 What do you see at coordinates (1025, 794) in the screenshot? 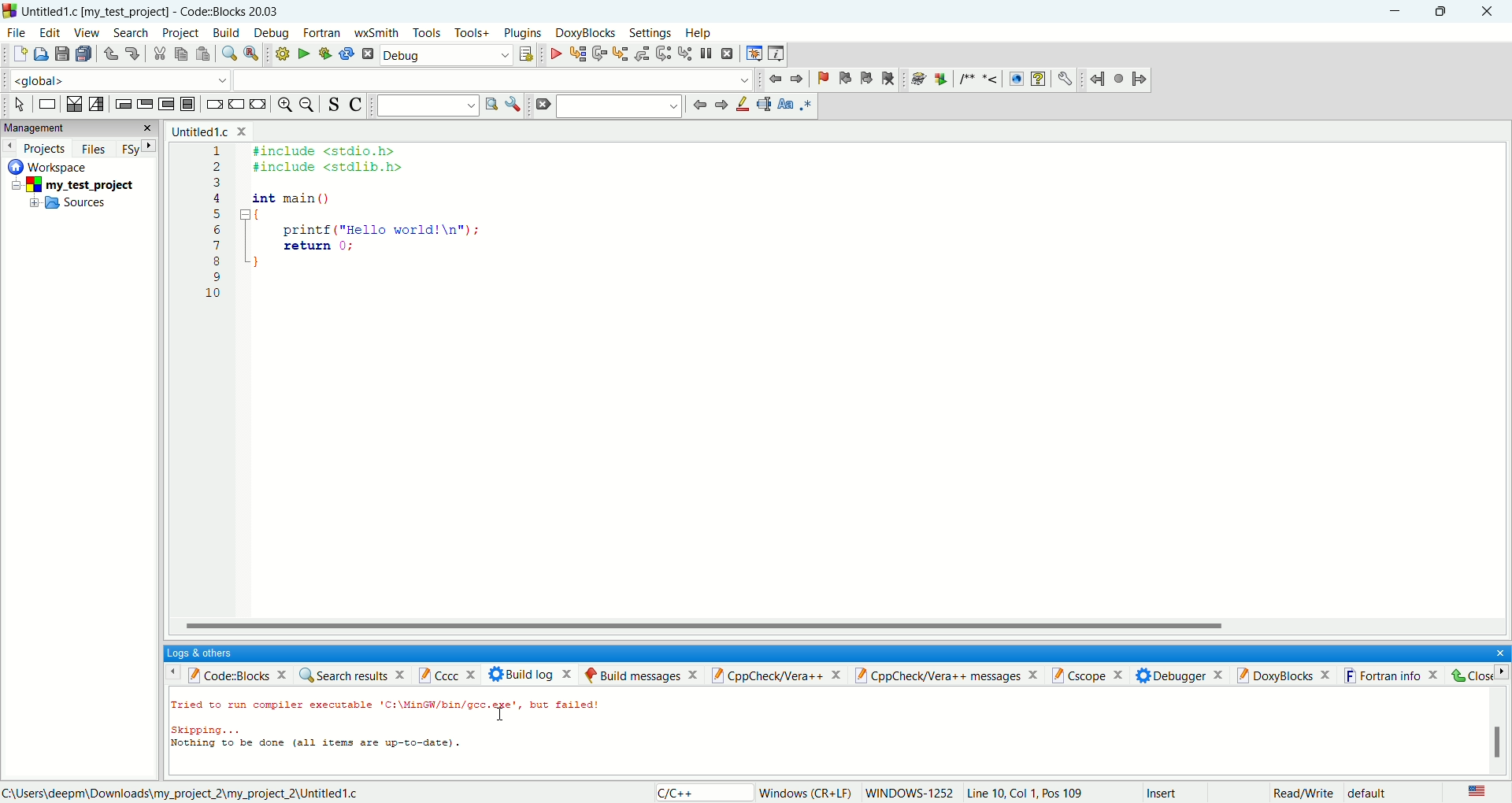
I see `line, col` at bounding box center [1025, 794].